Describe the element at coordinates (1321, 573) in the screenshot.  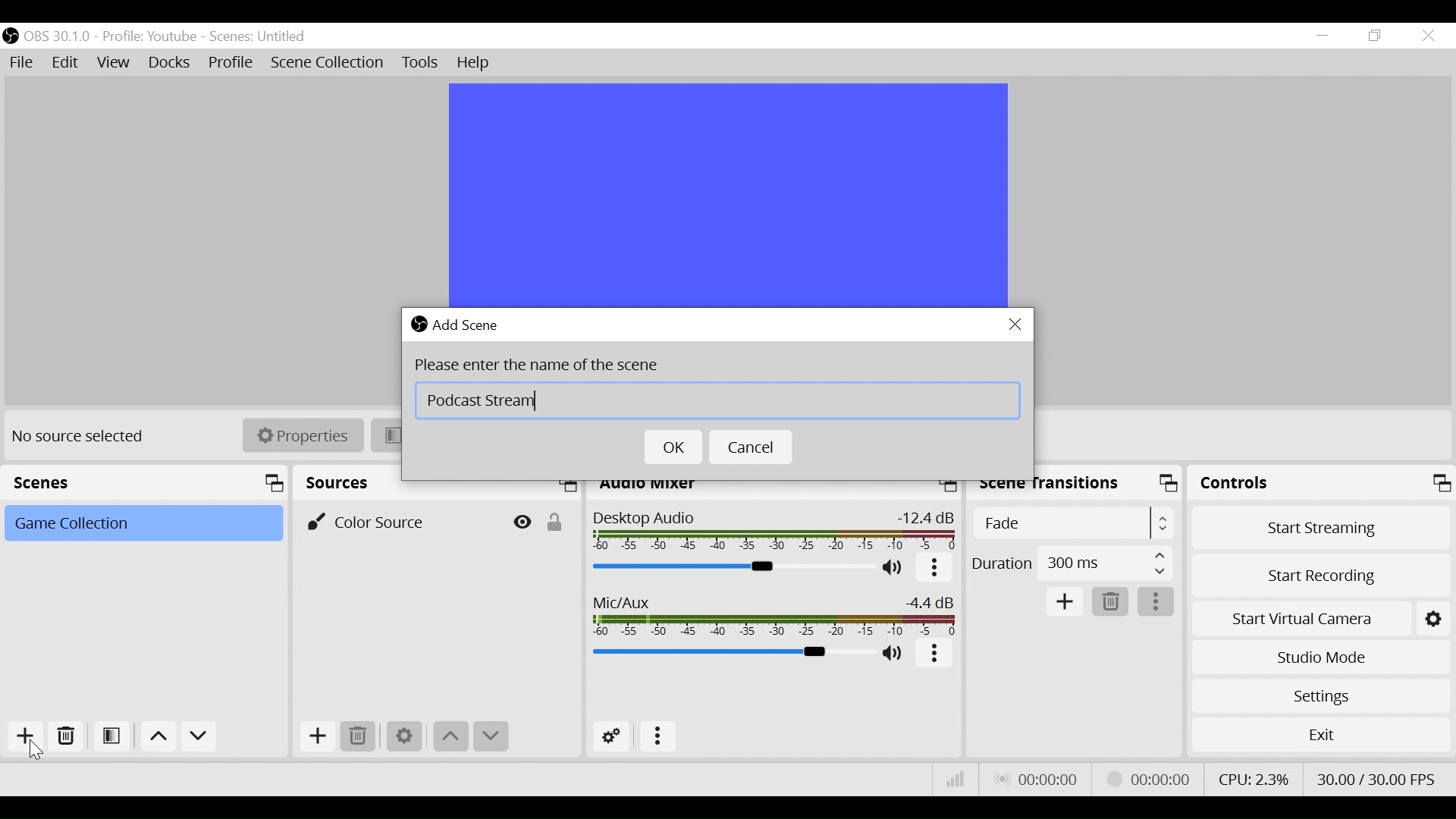
I see `Start Recording` at that location.